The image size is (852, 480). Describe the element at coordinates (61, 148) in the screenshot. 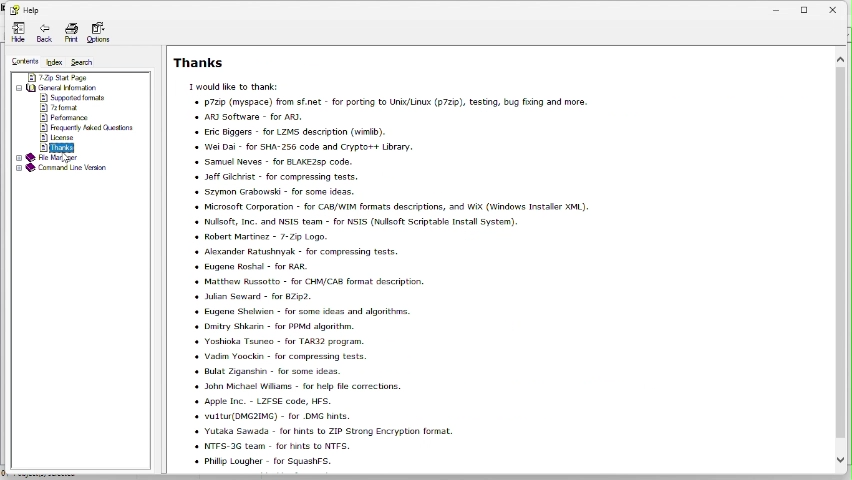

I see `thanks` at that location.